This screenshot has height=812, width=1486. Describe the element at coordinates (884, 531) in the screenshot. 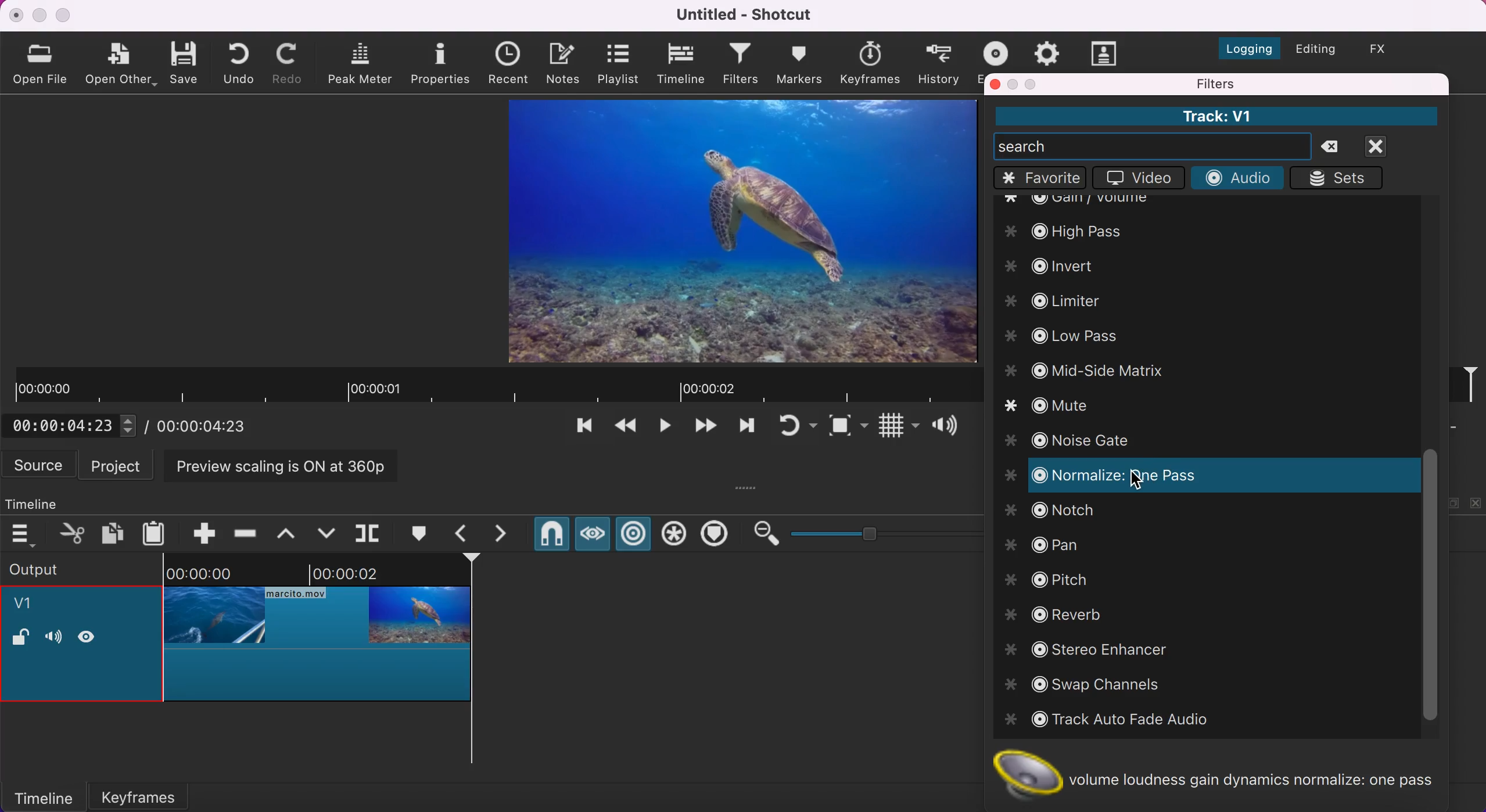

I see `zoom graduation` at that location.